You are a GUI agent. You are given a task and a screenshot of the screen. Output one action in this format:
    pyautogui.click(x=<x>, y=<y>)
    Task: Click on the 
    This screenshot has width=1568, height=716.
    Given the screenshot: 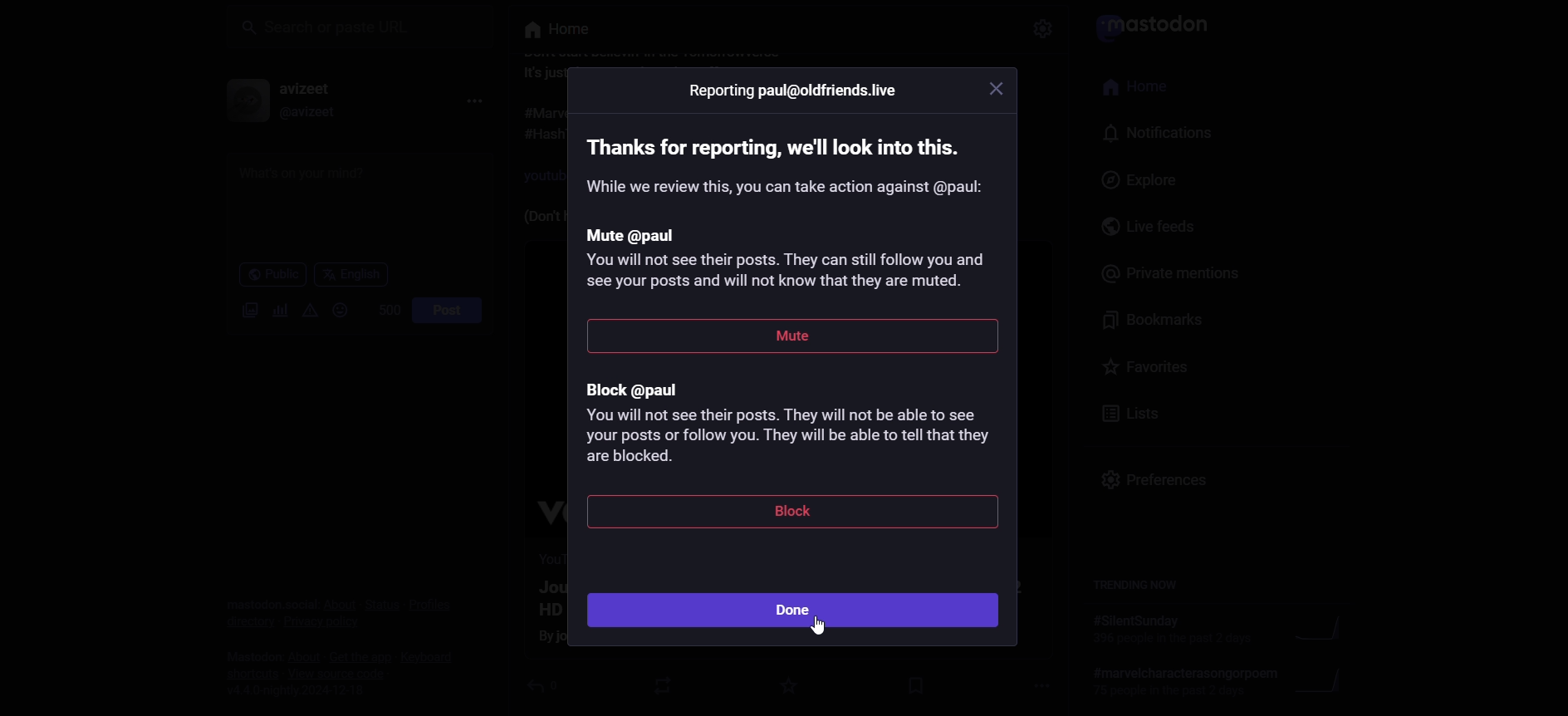 What is the action you would take?
    pyautogui.click(x=821, y=627)
    